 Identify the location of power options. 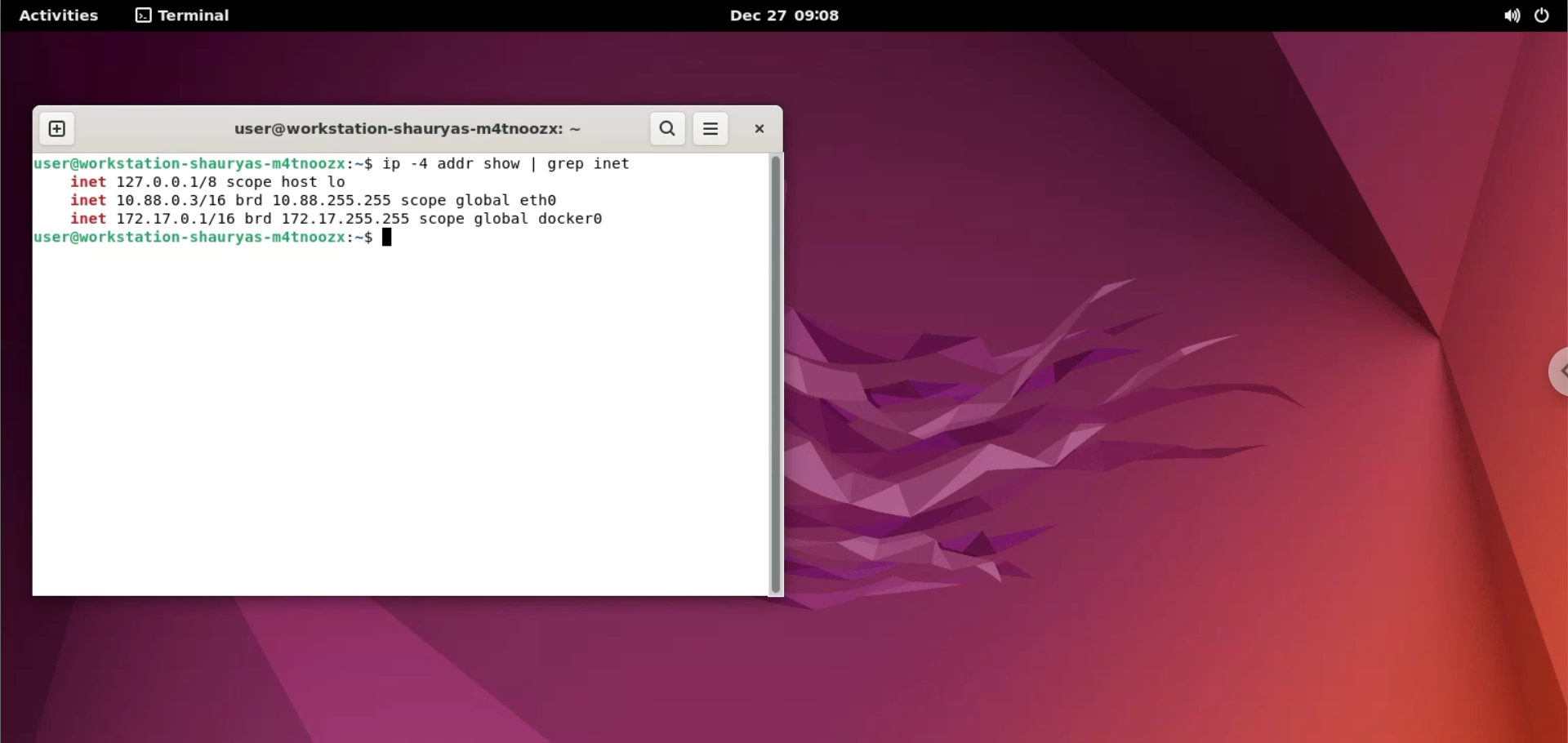
(1546, 15).